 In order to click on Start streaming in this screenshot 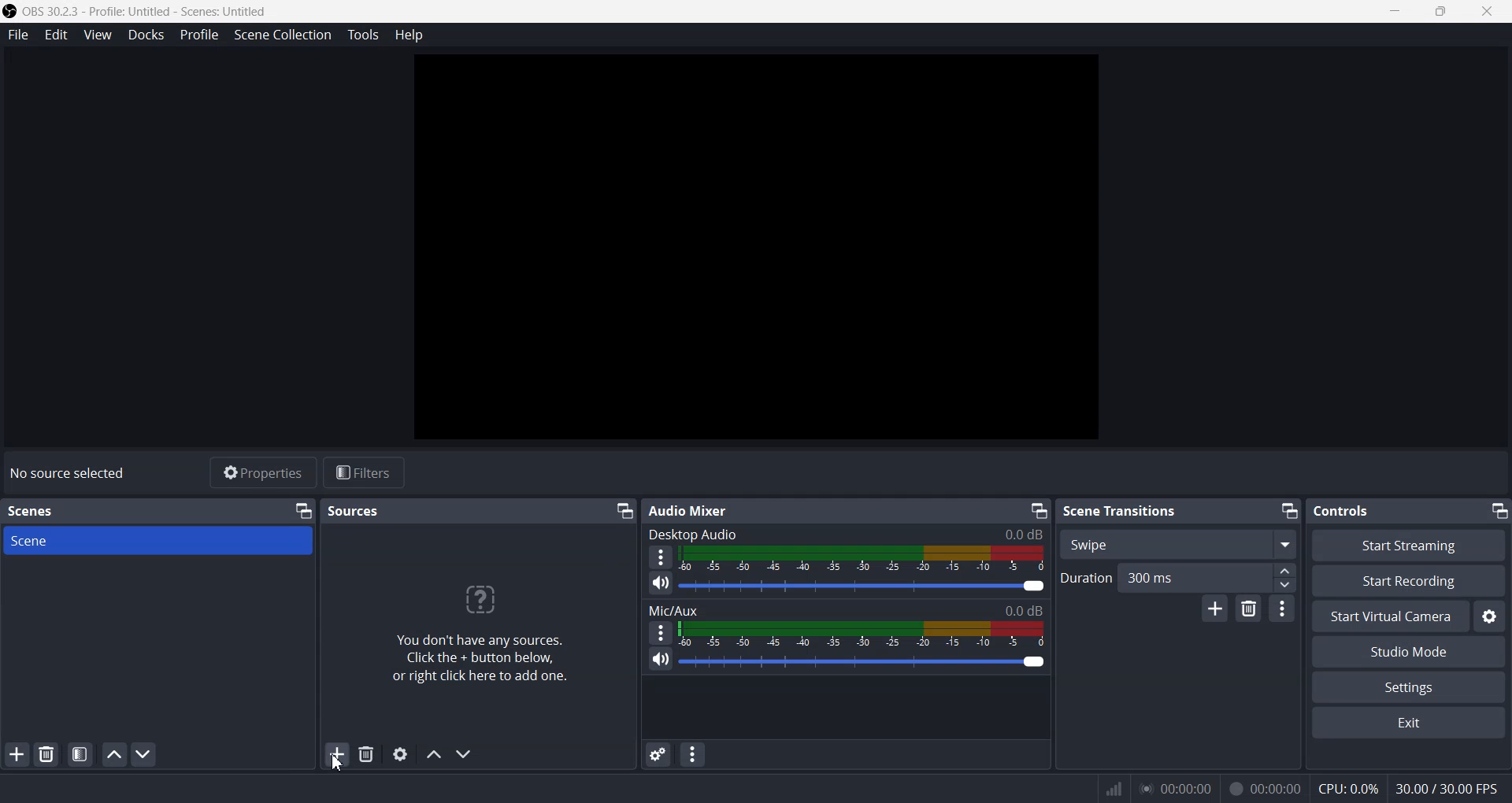, I will do `click(1410, 545)`.